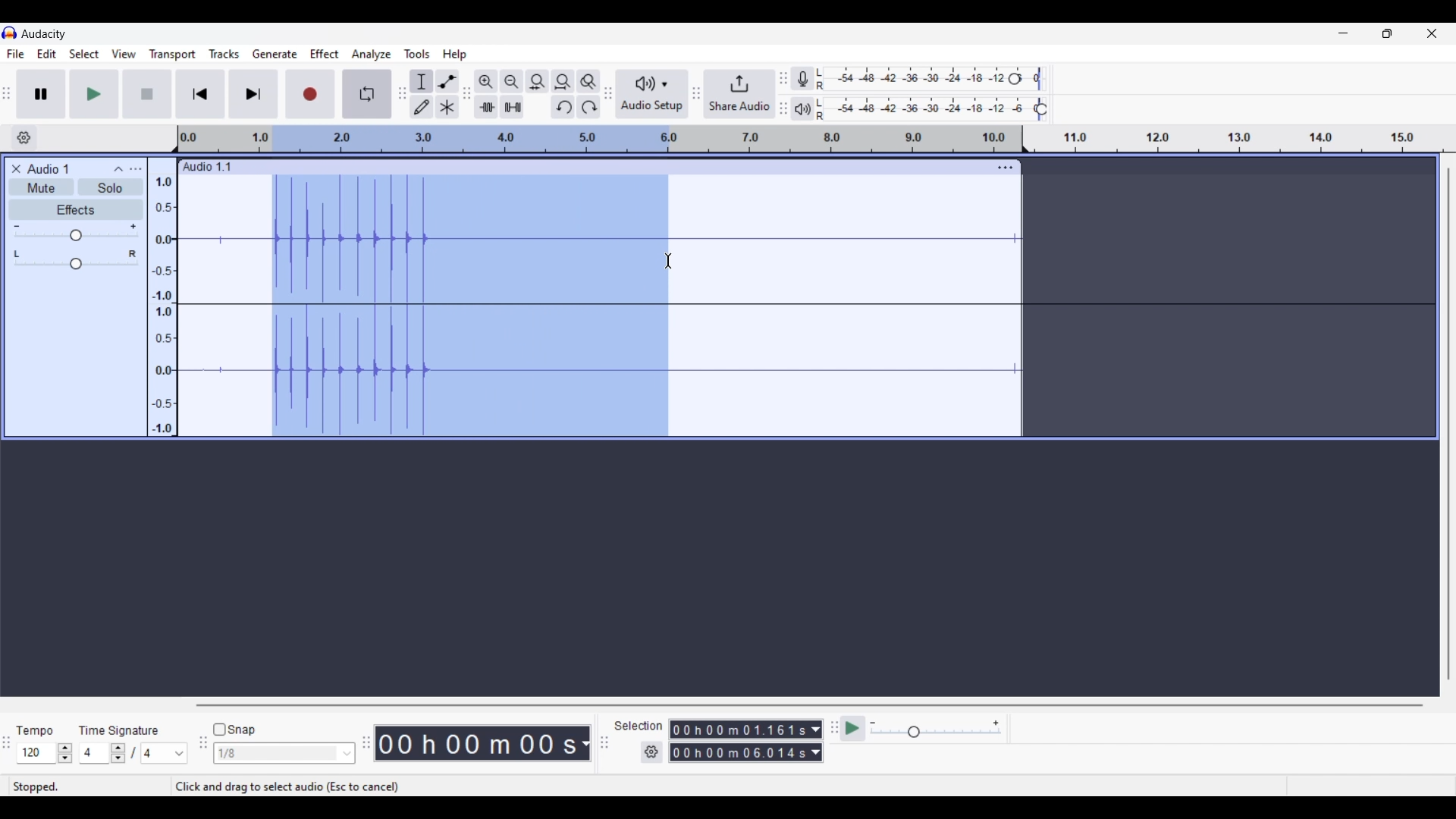 The image size is (1456, 819). What do you see at coordinates (133, 226) in the screenshot?
I see `Maximum gain` at bounding box center [133, 226].